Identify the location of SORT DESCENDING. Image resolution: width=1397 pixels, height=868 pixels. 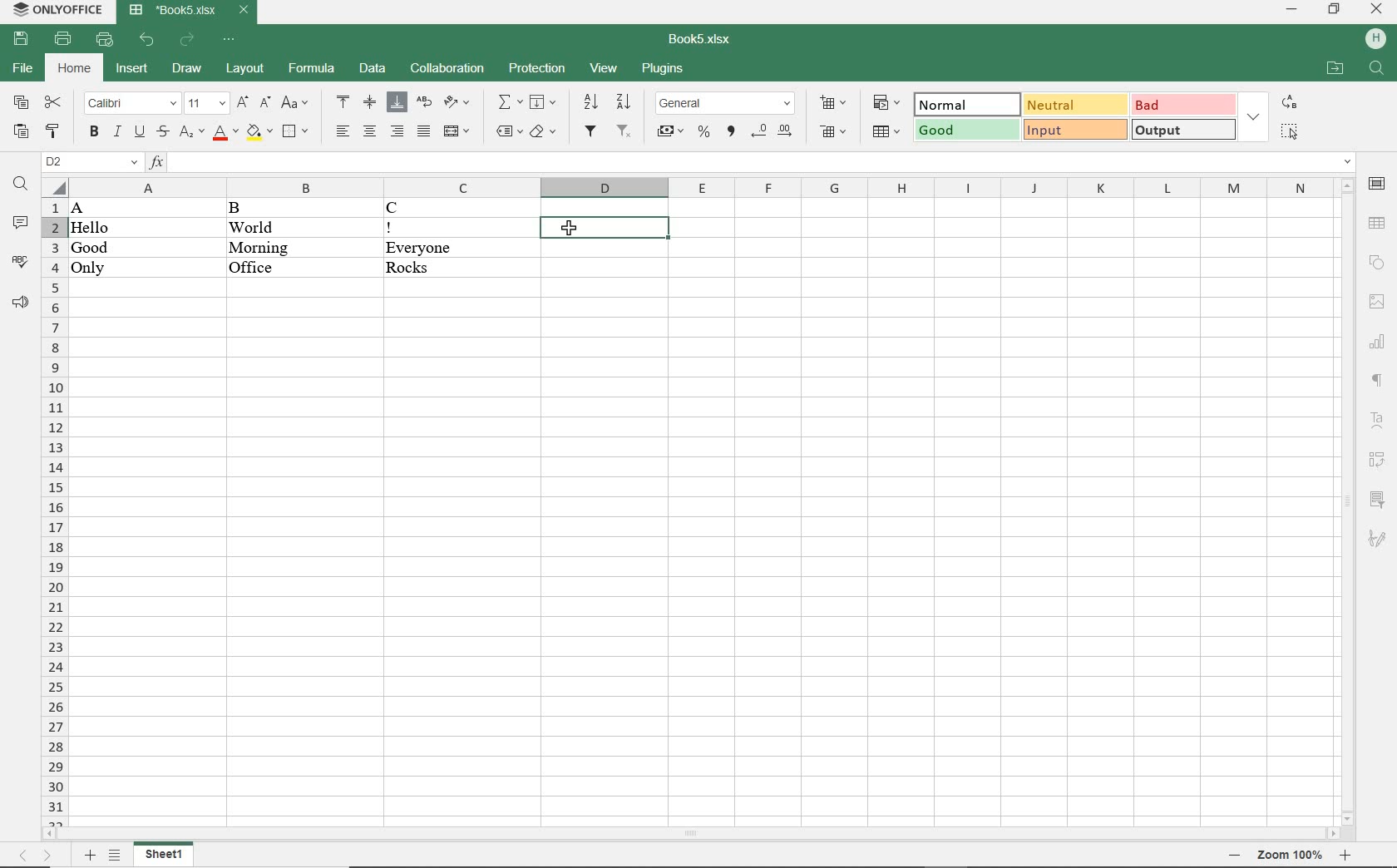
(624, 101).